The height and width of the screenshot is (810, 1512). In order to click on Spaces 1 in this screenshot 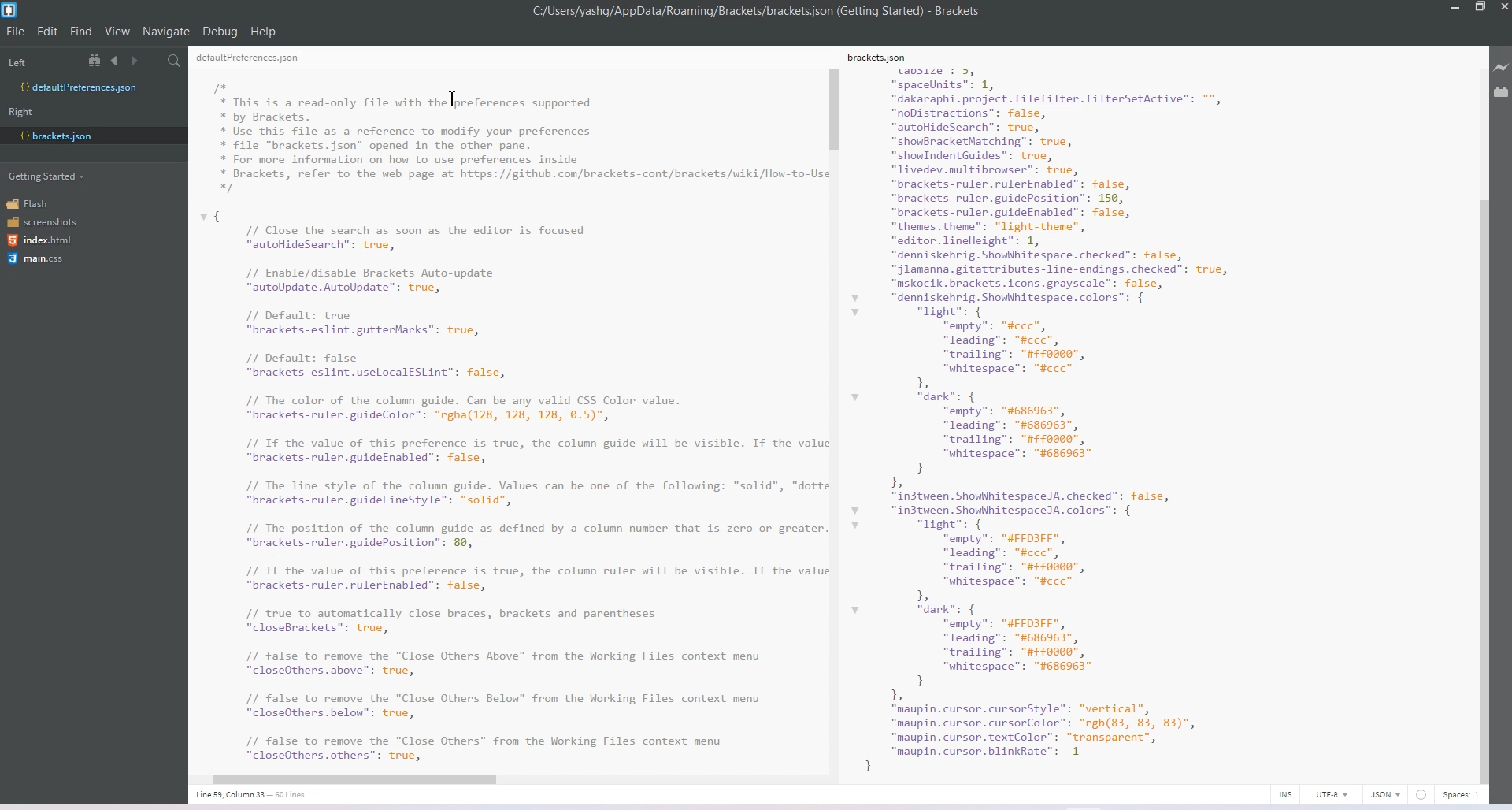, I will do `click(1462, 795)`.